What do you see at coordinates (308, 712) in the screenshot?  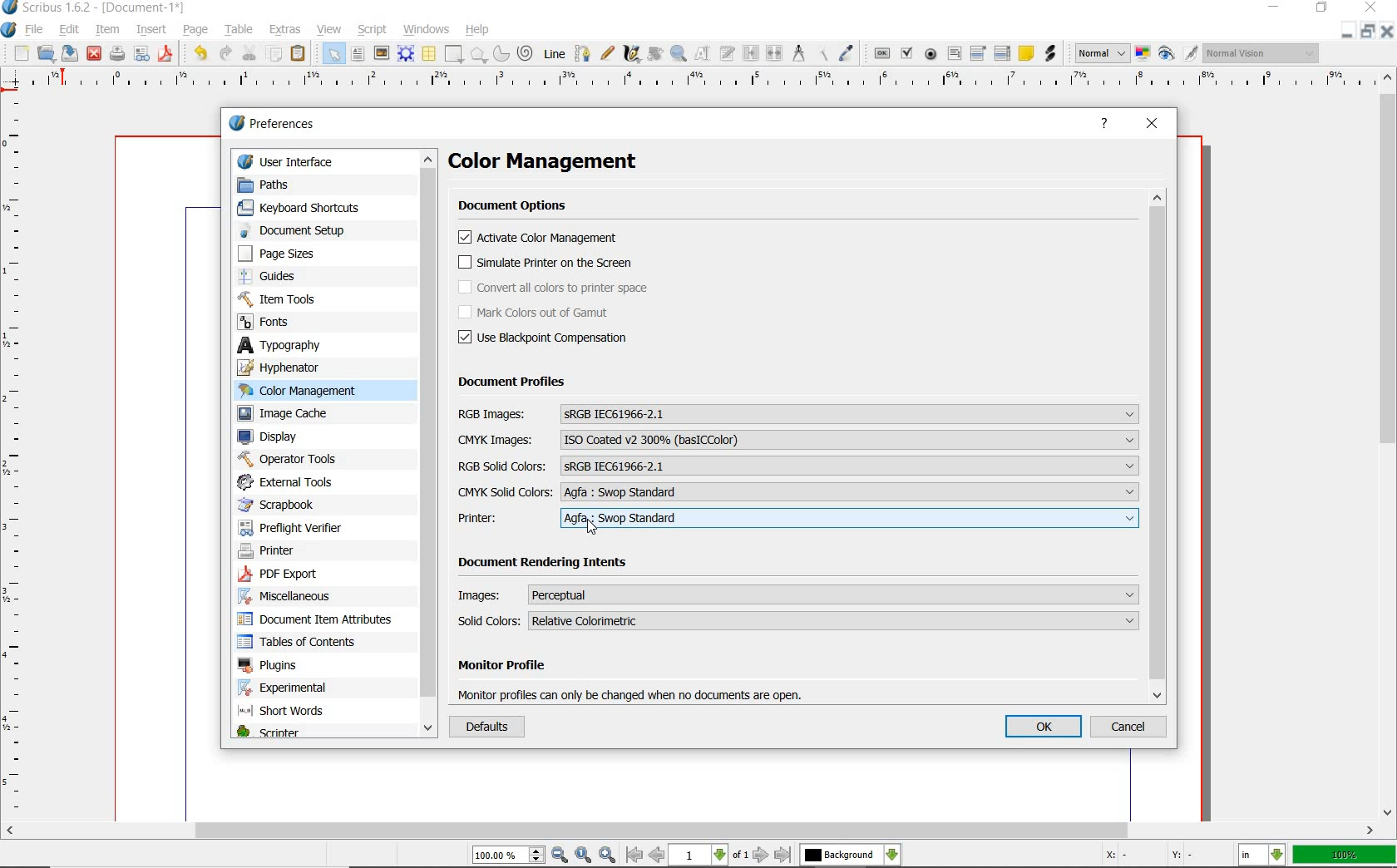 I see `short words` at bounding box center [308, 712].